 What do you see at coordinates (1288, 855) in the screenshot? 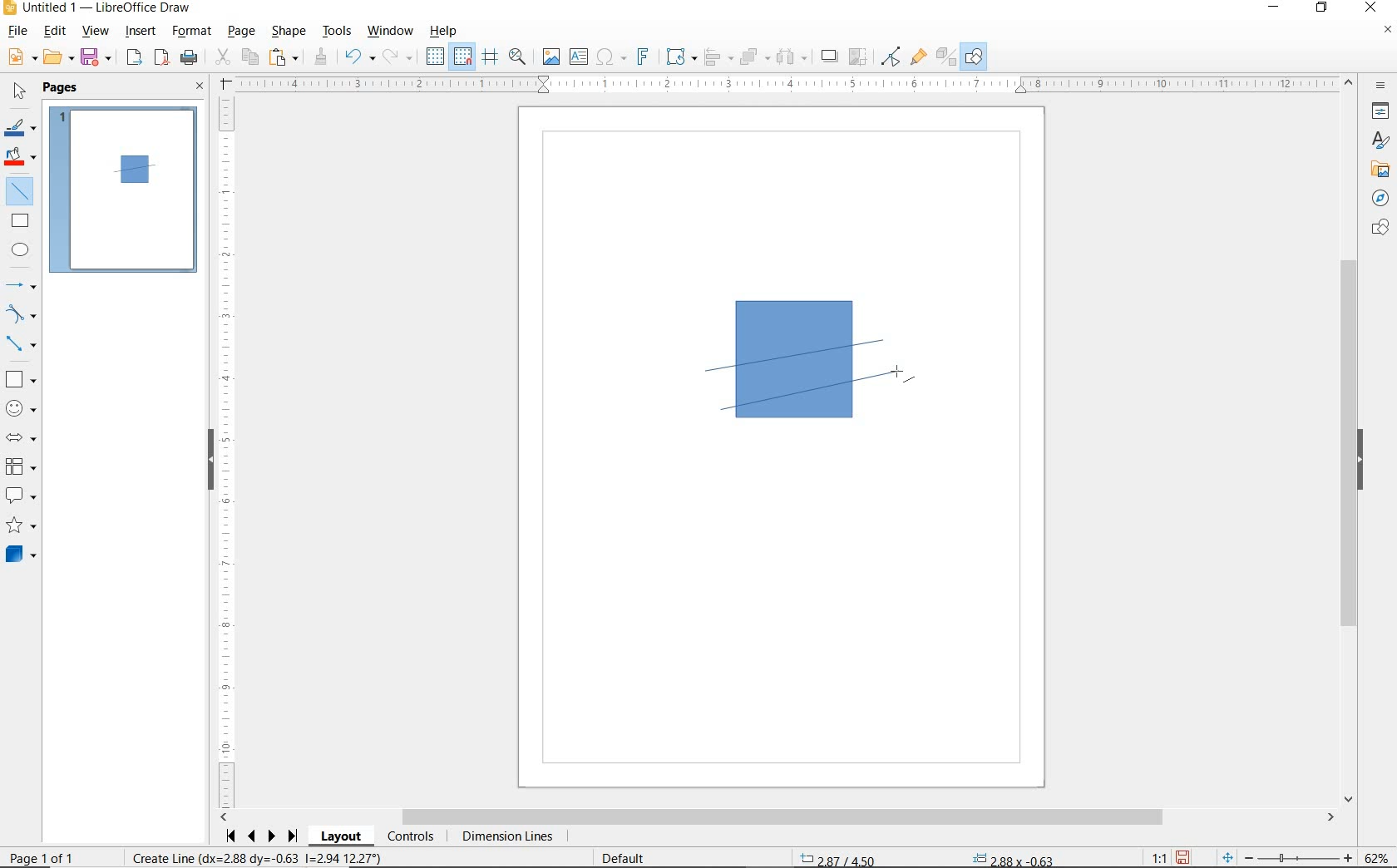
I see `ZOOM OUT OR ZOOM IN` at bounding box center [1288, 855].